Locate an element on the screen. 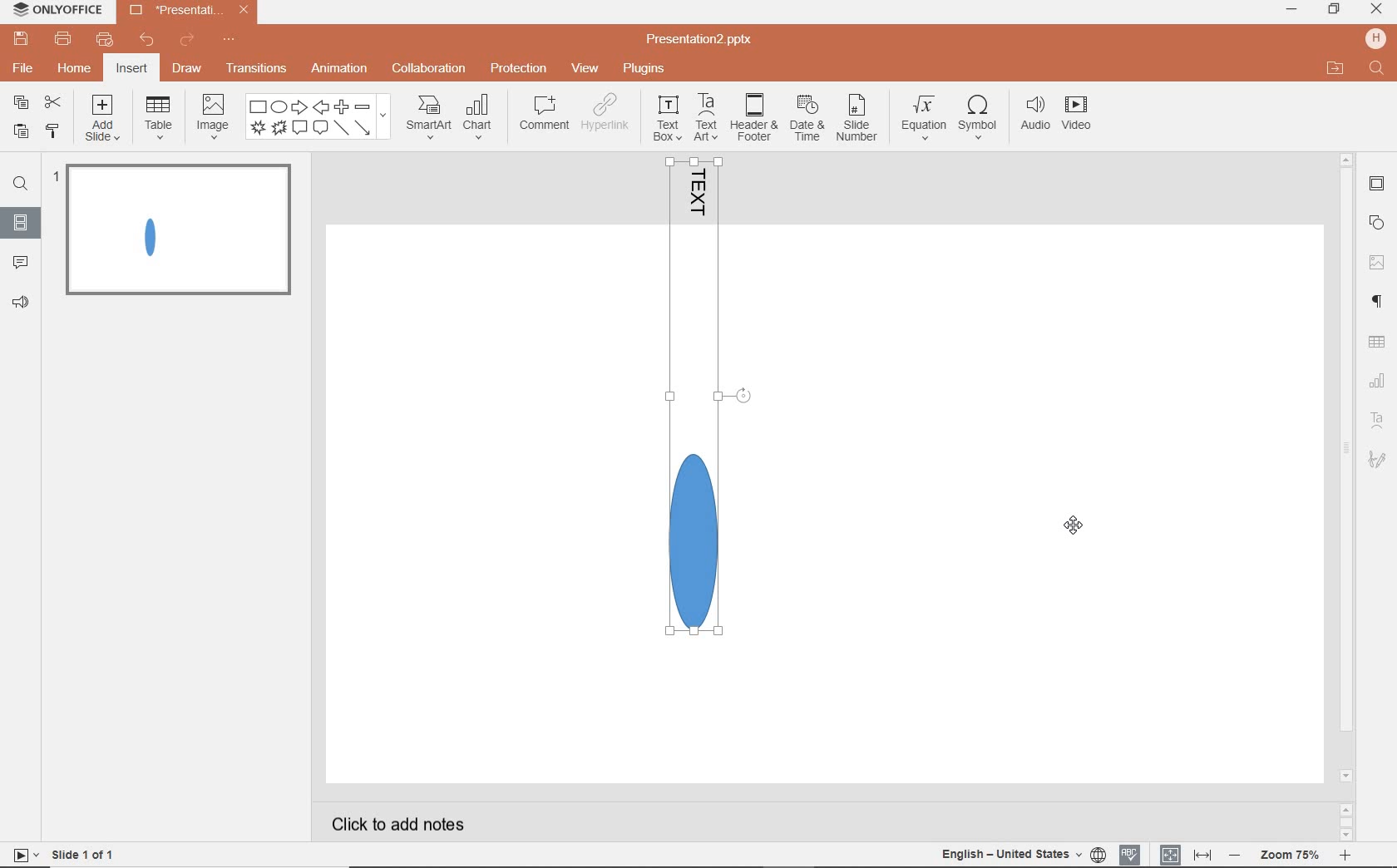 Image resolution: width=1397 pixels, height=868 pixels. insert is located at coordinates (133, 69).